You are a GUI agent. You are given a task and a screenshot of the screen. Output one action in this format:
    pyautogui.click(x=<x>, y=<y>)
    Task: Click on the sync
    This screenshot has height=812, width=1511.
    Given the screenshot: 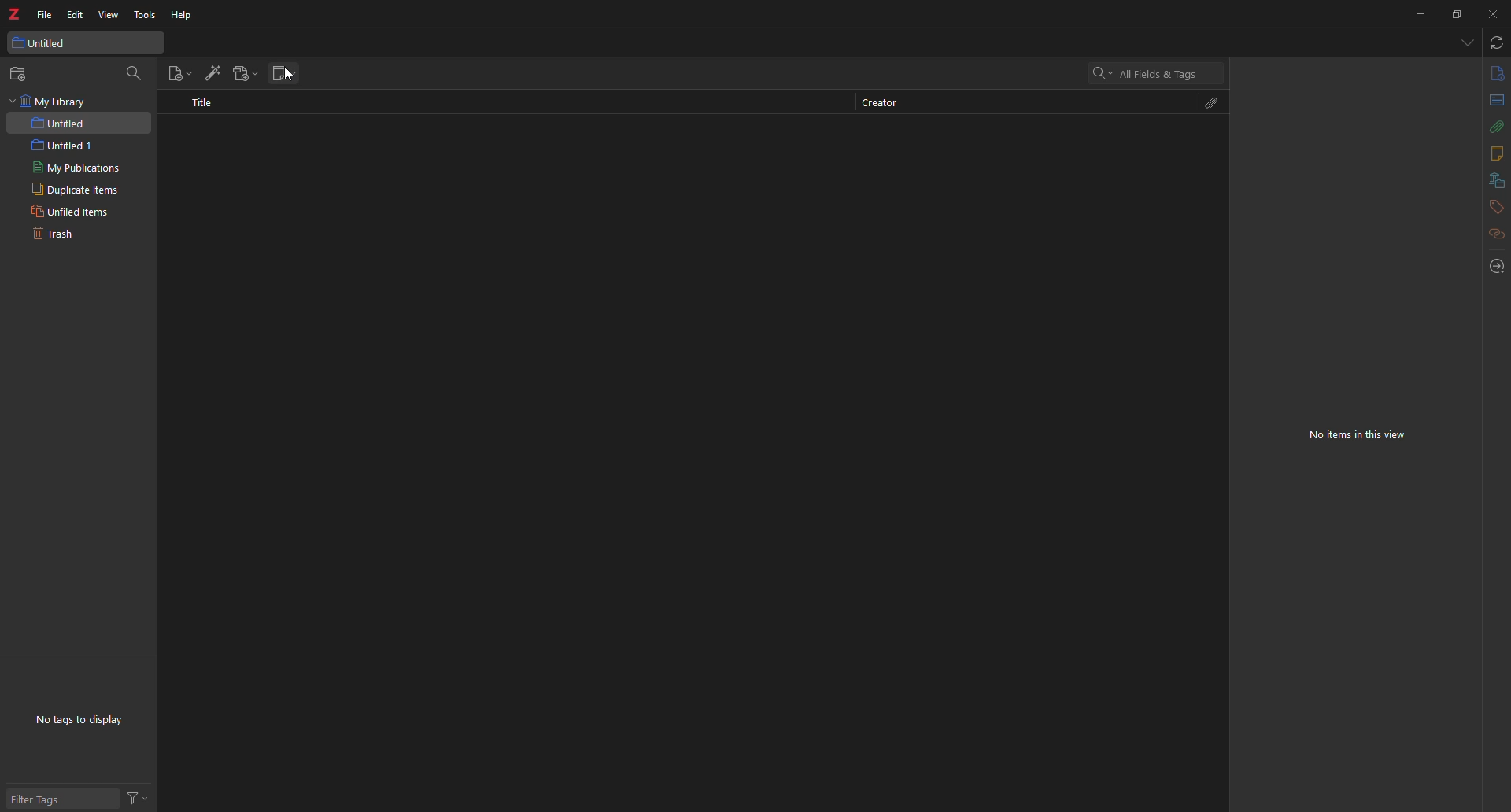 What is the action you would take?
    pyautogui.click(x=1497, y=42)
    